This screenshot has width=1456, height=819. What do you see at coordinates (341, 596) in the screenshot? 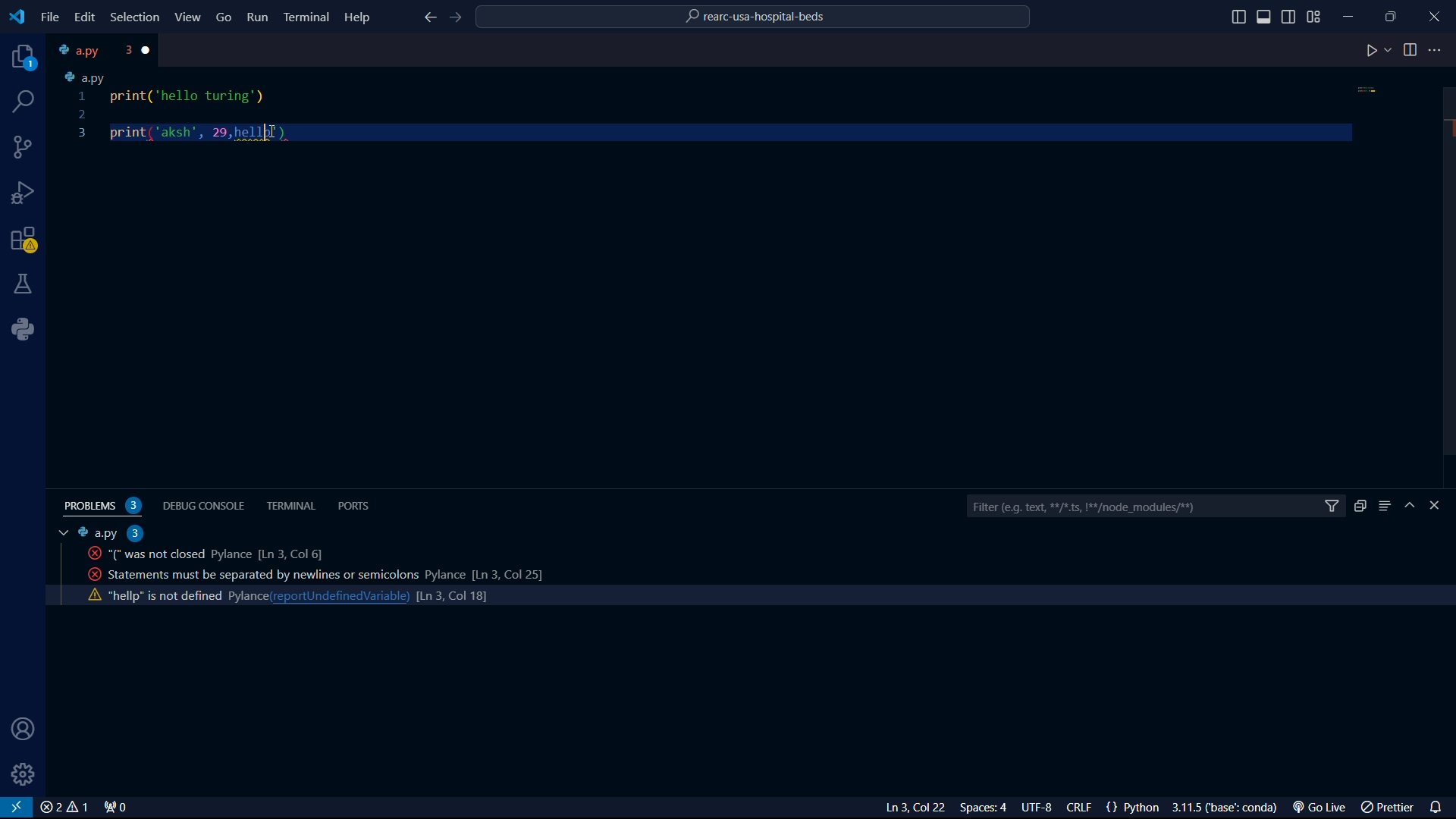
I see `reportundefinedvariable` at bounding box center [341, 596].